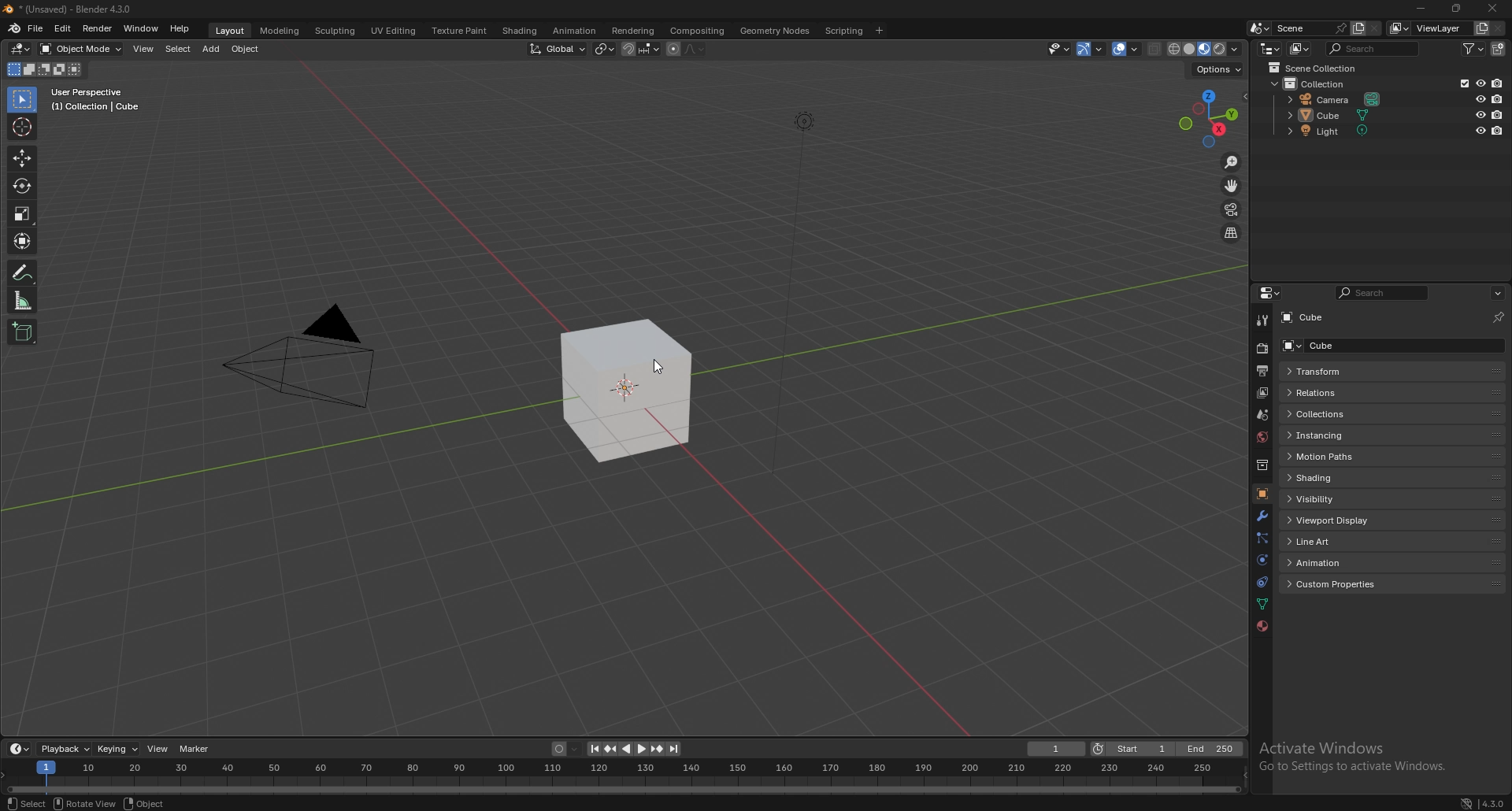 This screenshot has width=1512, height=811. Describe the element at coordinates (1498, 83) in the screenshot. I see `disable in renders` at that location.